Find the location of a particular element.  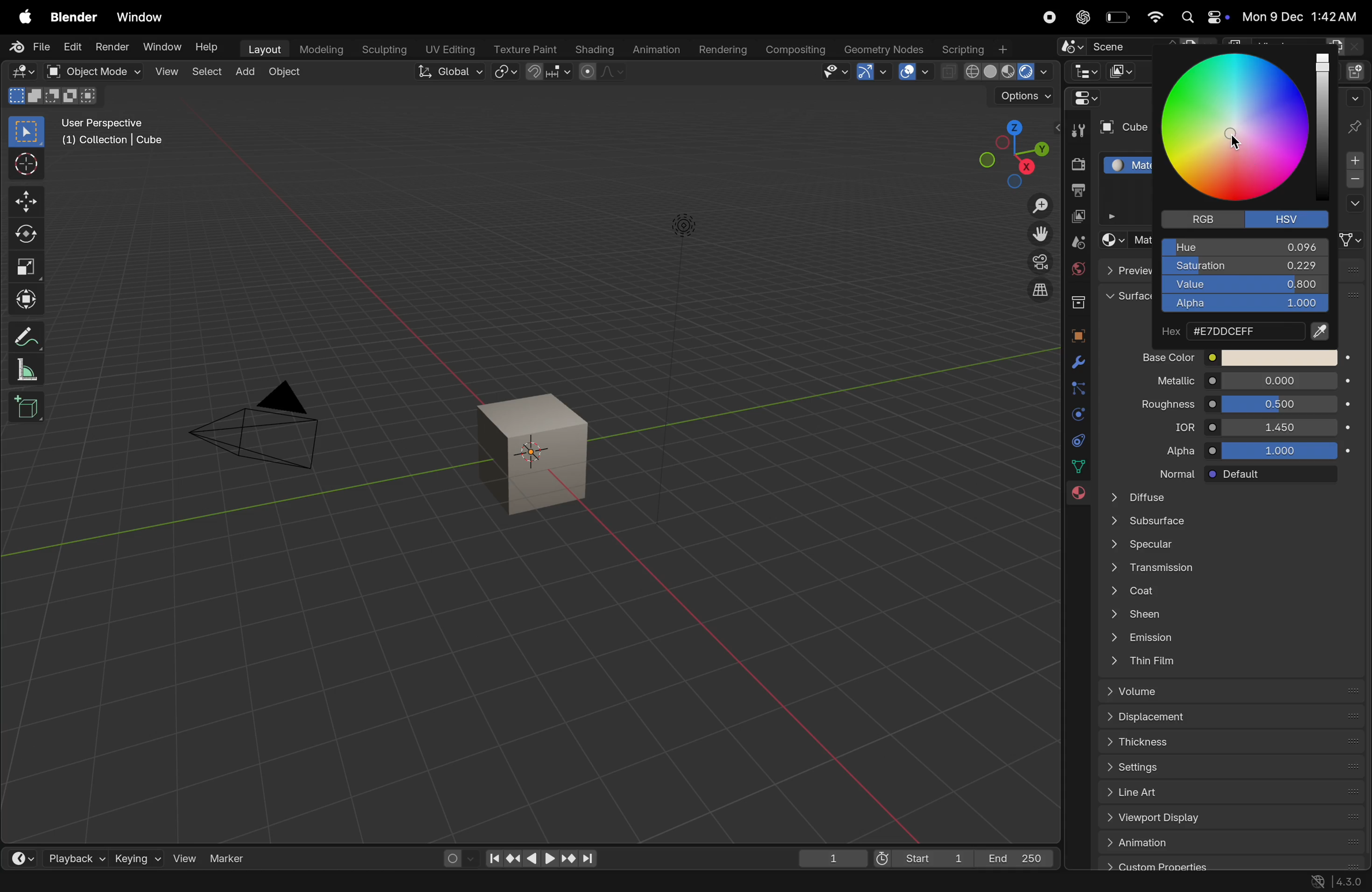

rendering is located at coordinates (723, 50).